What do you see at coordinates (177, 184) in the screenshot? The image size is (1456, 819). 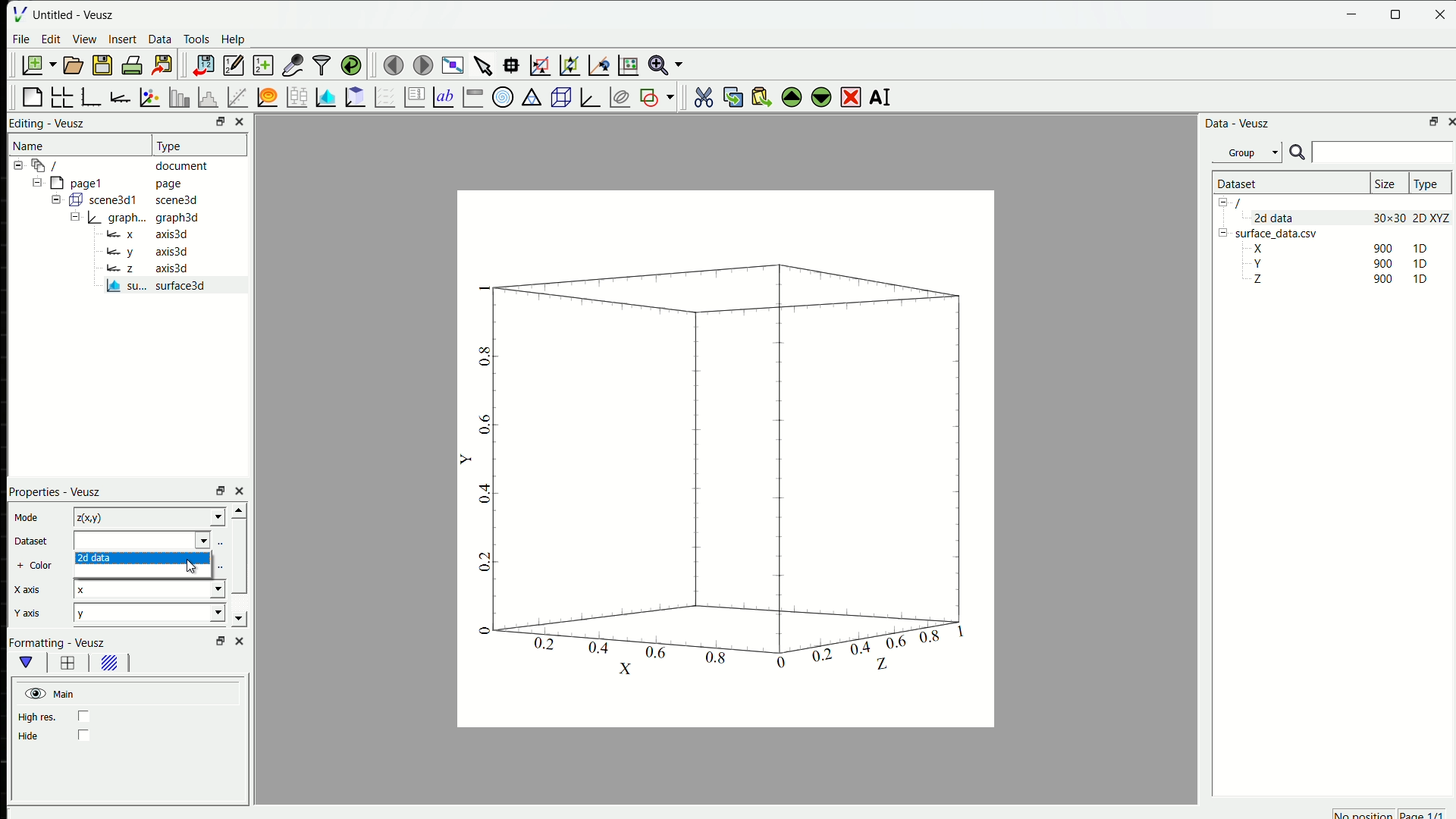 I see `page` at bounding box center [177, 184].